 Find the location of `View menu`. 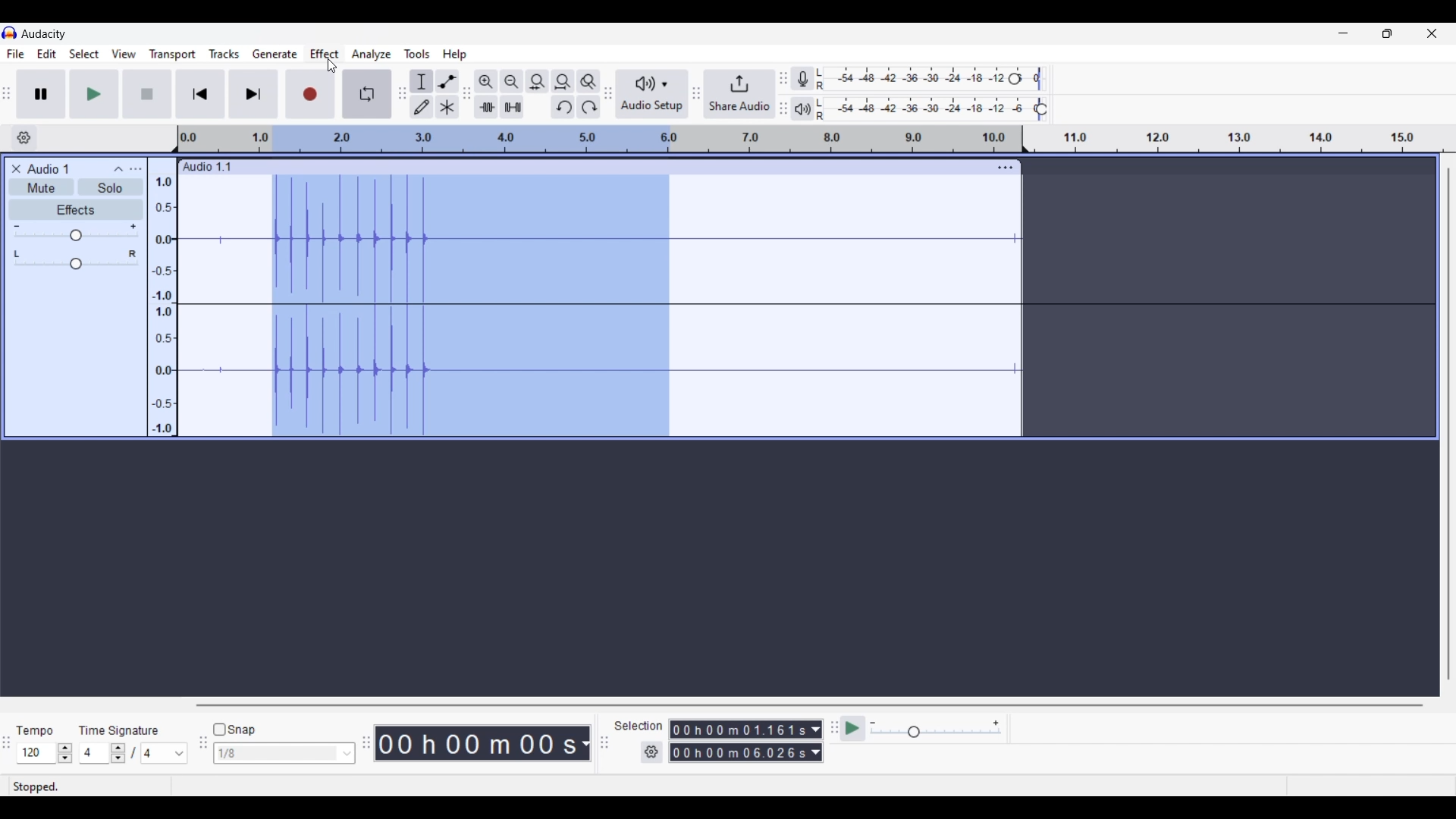

View menu is located at coordinates (124, 55).